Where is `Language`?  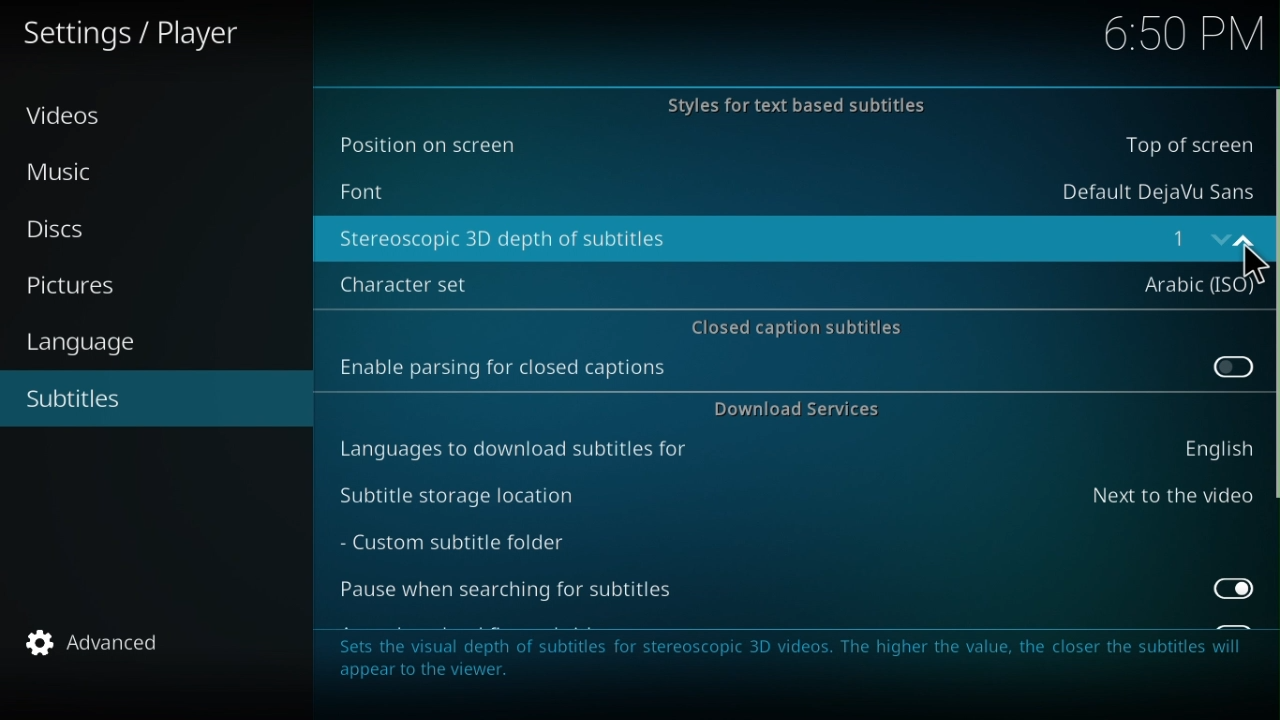
Language is located at coordinates (73, 341).